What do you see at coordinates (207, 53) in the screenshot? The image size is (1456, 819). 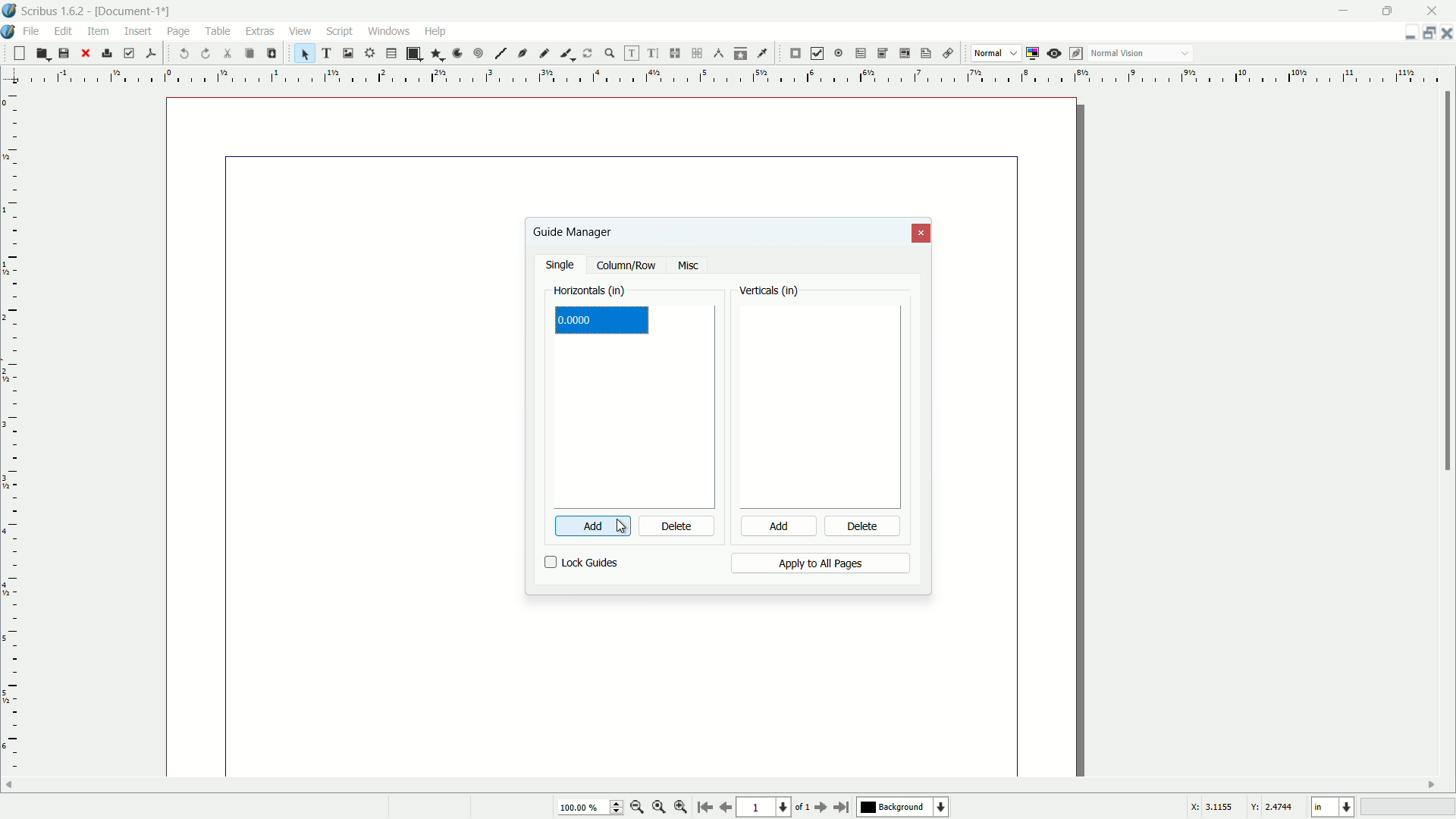 I see `redo` at bounding box center [207, 53].